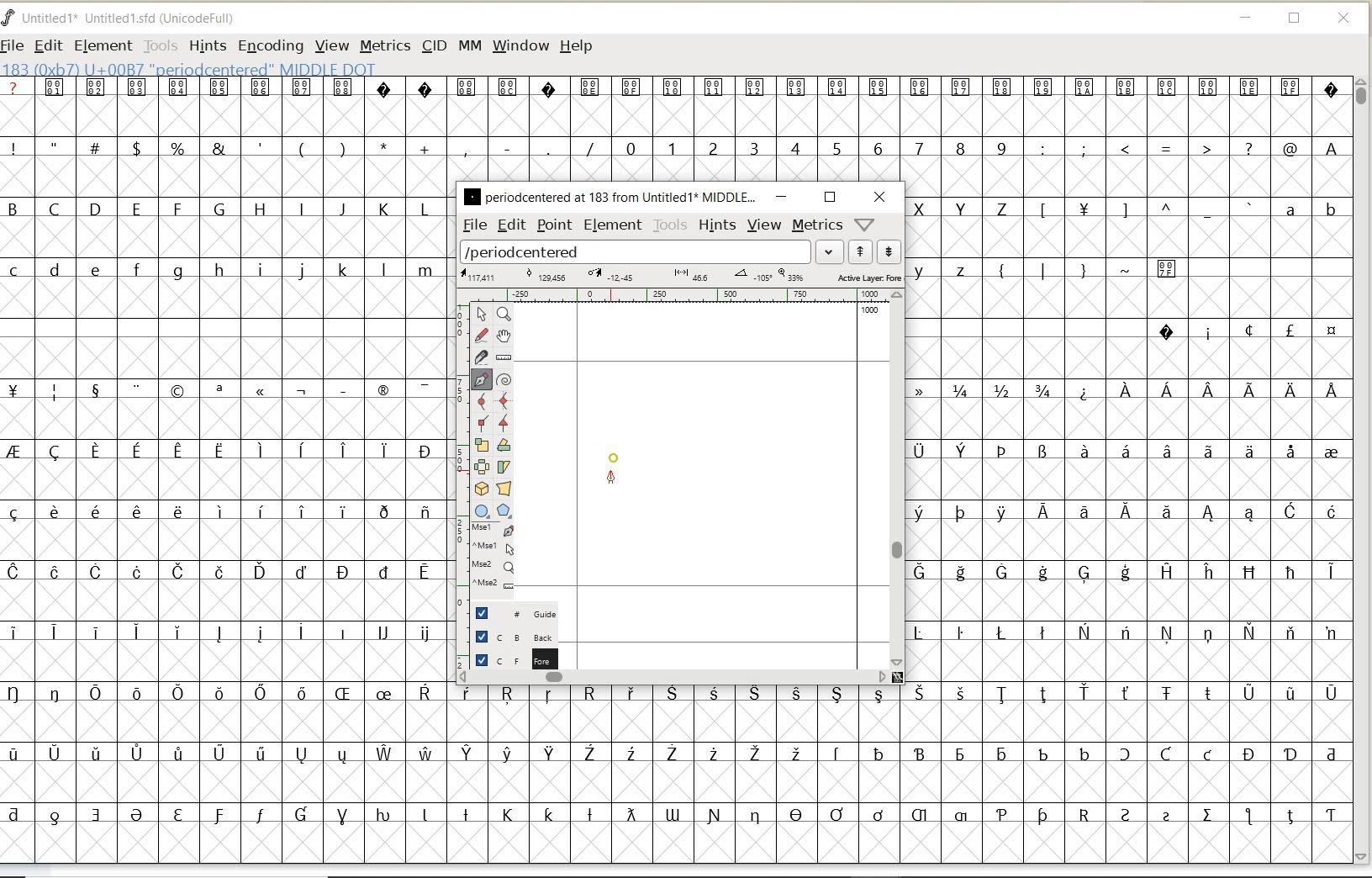  Describe the element at coordinates (103, 45) in the screenshot. I see `ELEMENT` at that location.